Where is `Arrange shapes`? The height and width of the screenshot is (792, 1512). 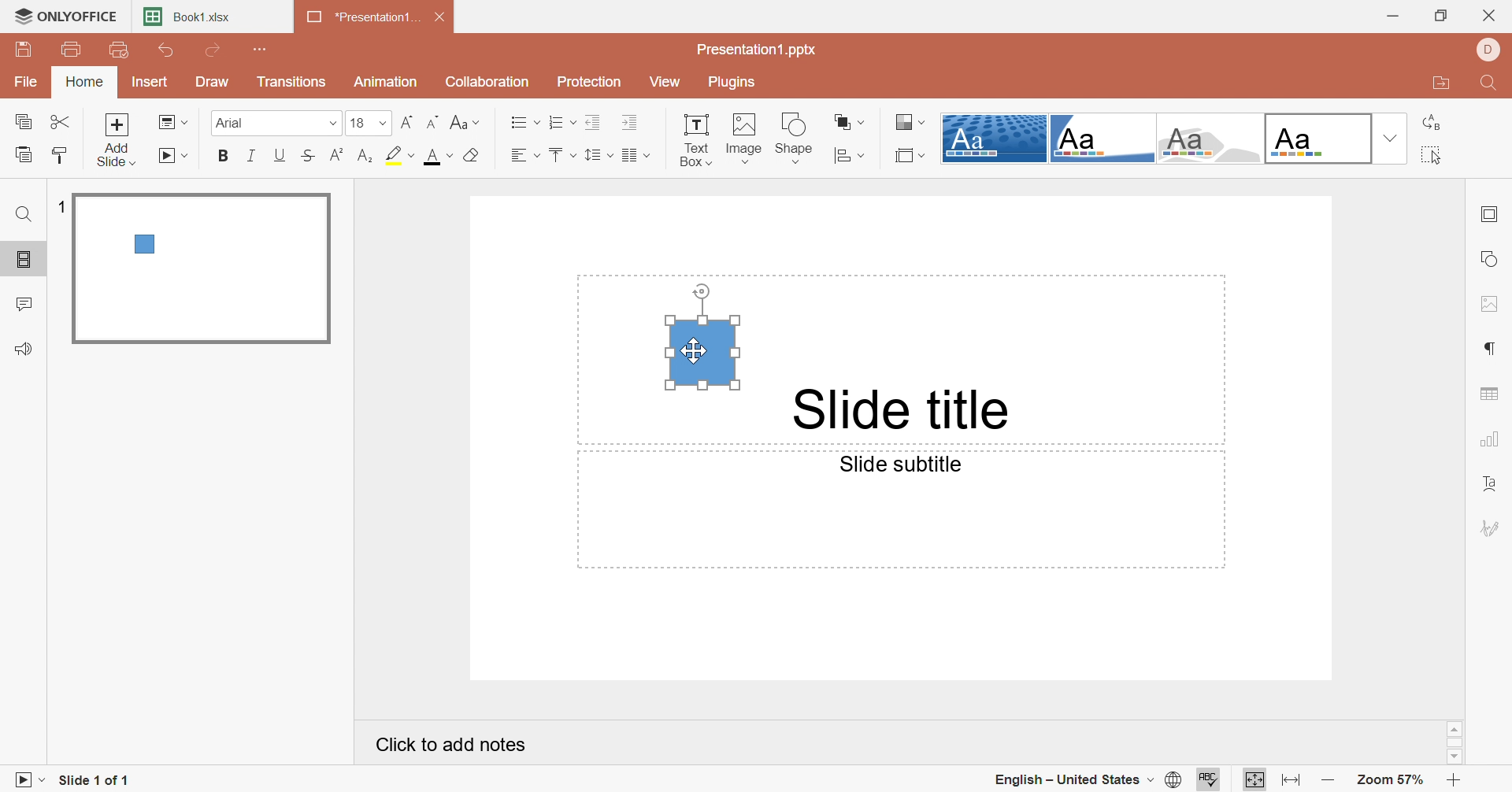
Arrange shapes is located at coordinates (847, 122).